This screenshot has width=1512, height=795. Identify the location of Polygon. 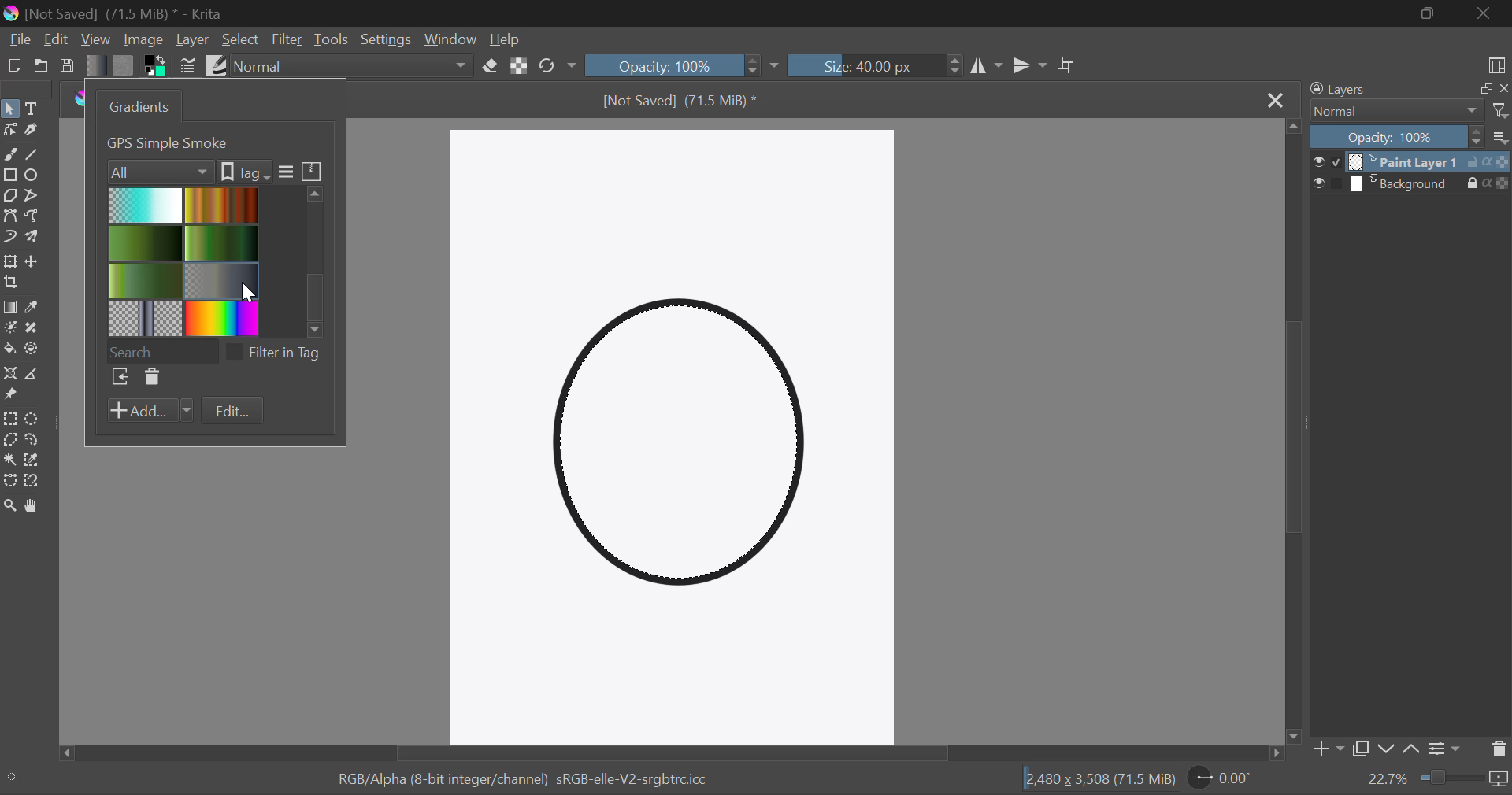
(11, 197).